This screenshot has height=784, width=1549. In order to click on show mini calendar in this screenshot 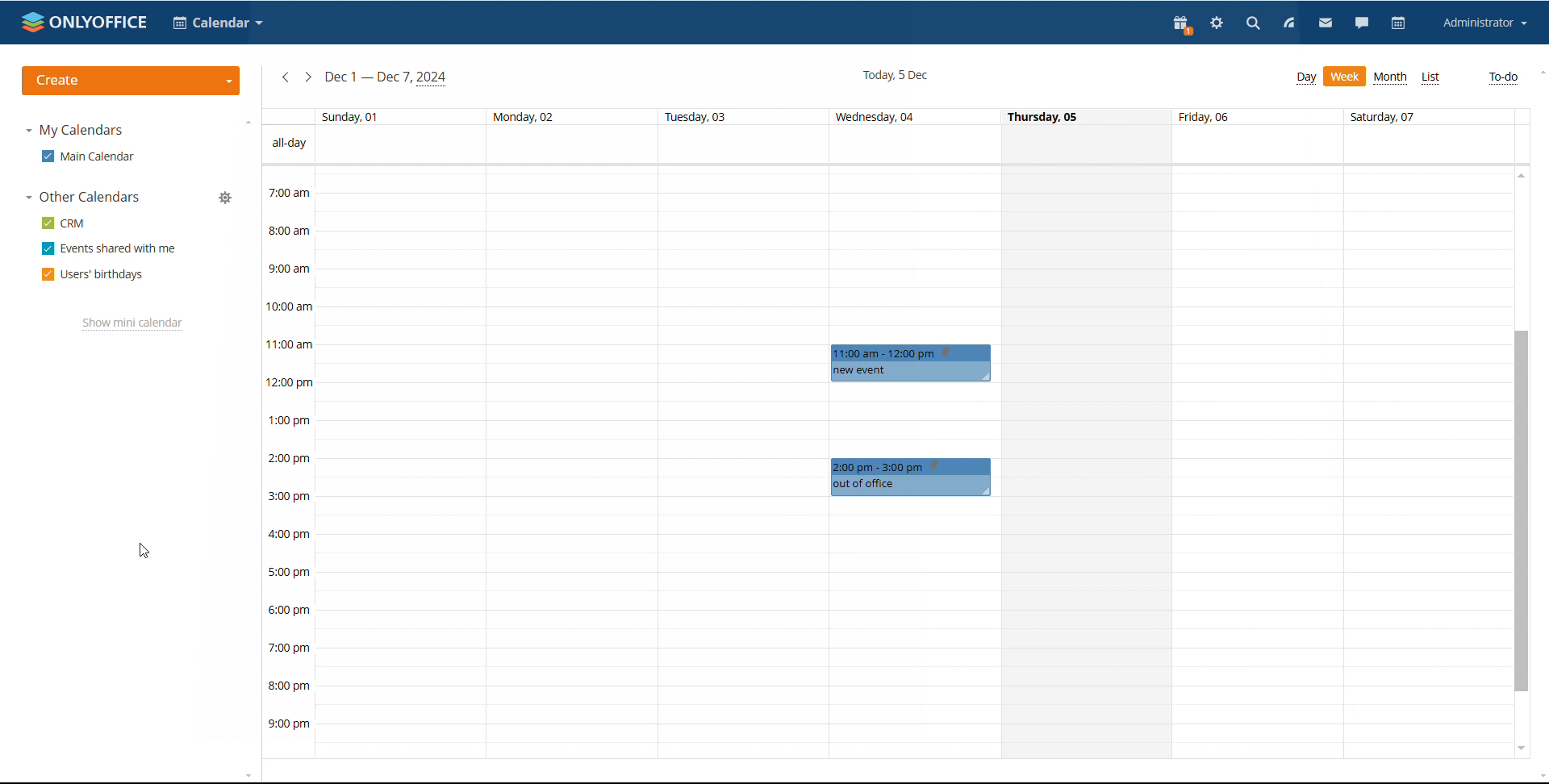, I will do `click(132, 325)`.